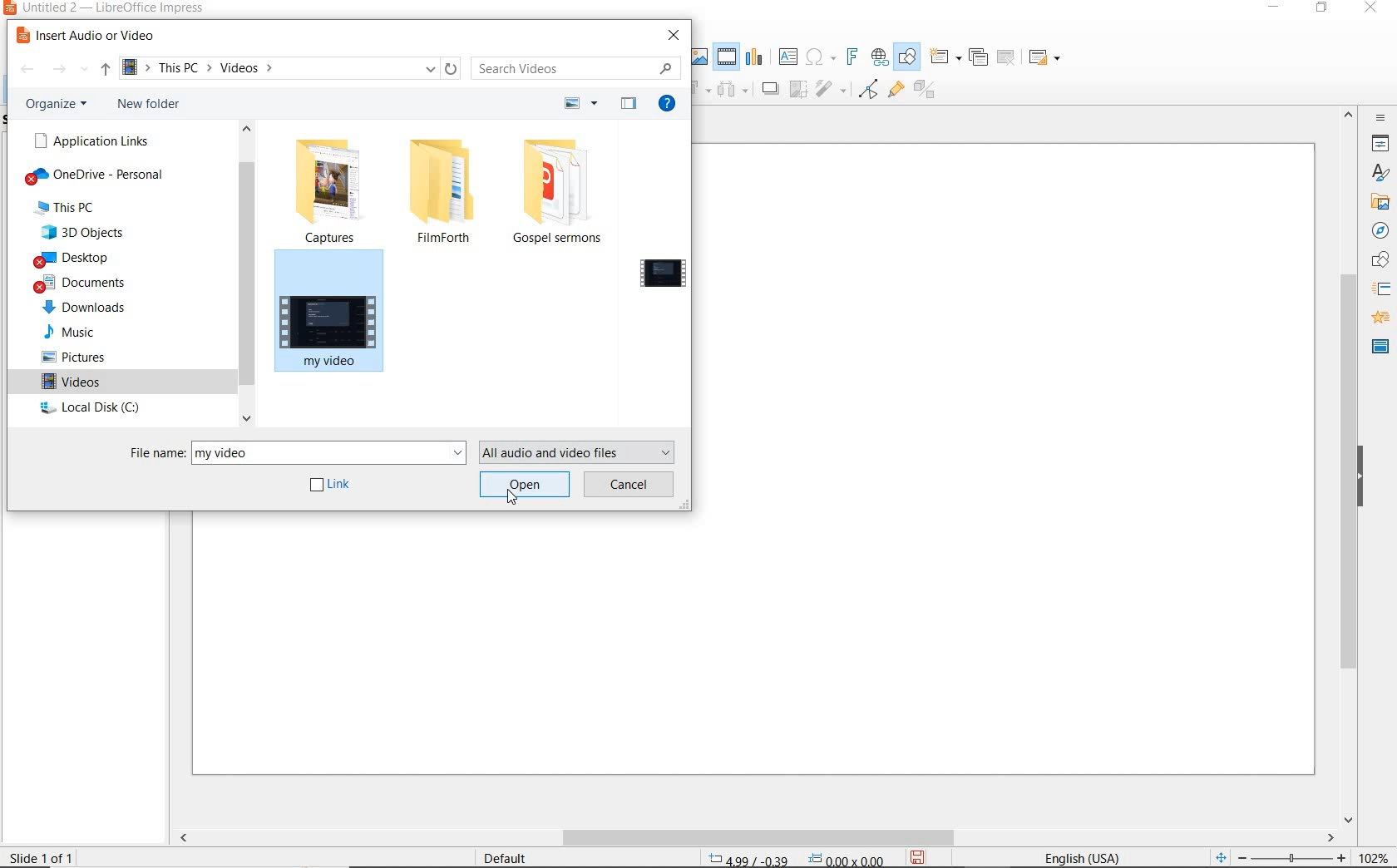 This screenshot has height=868, width=1397. I want to click on INSERT AUDIO OR VIDEO, so click(728, 57).